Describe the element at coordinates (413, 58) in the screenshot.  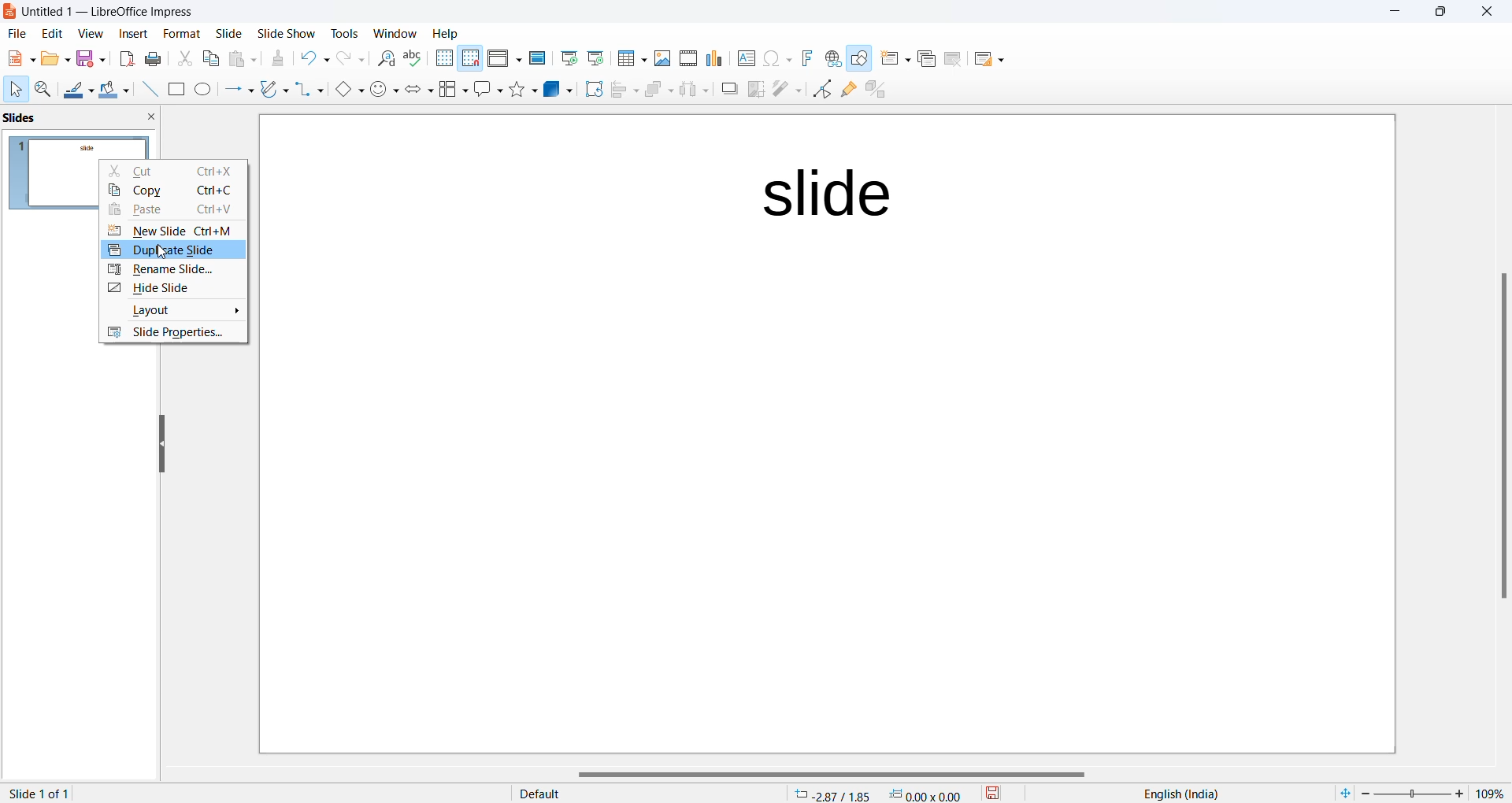
I see `Spellings` at that location.